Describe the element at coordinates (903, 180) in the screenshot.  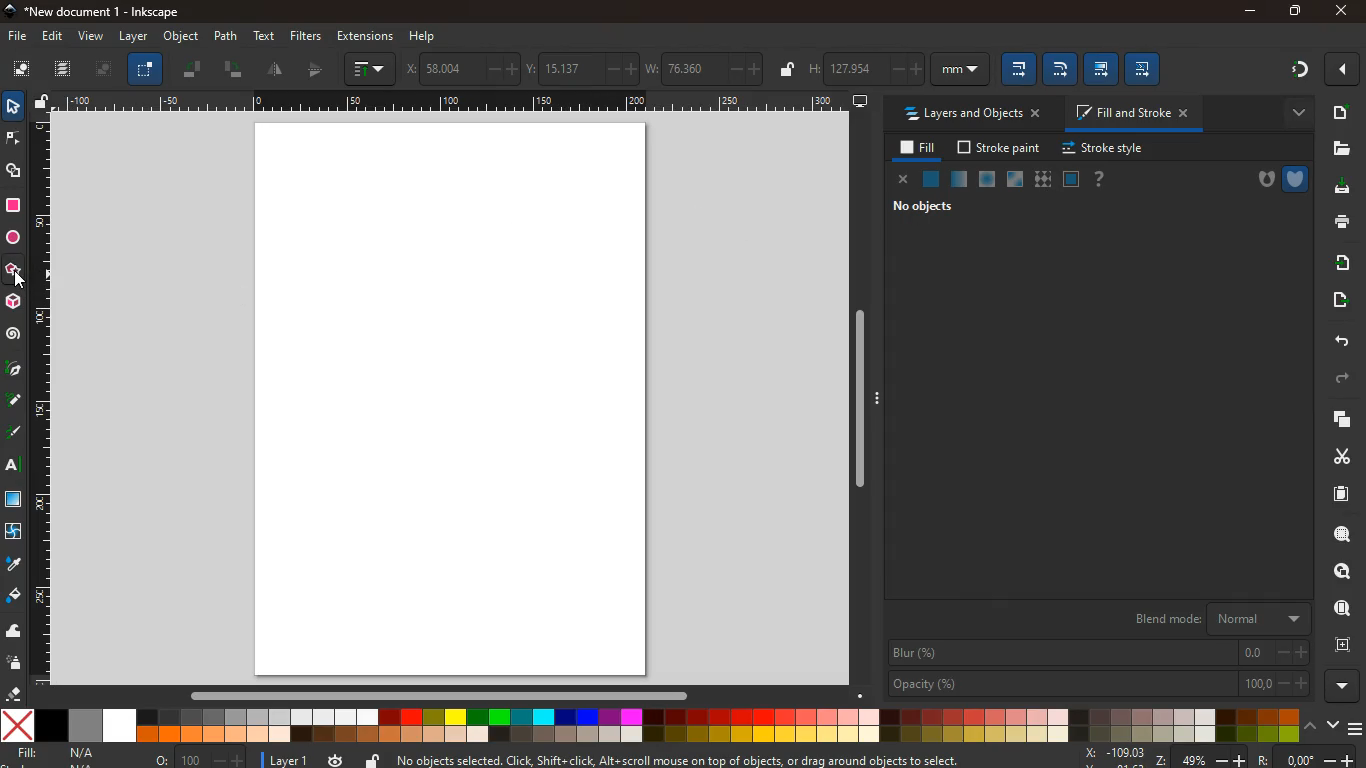
I see `close` at that location.